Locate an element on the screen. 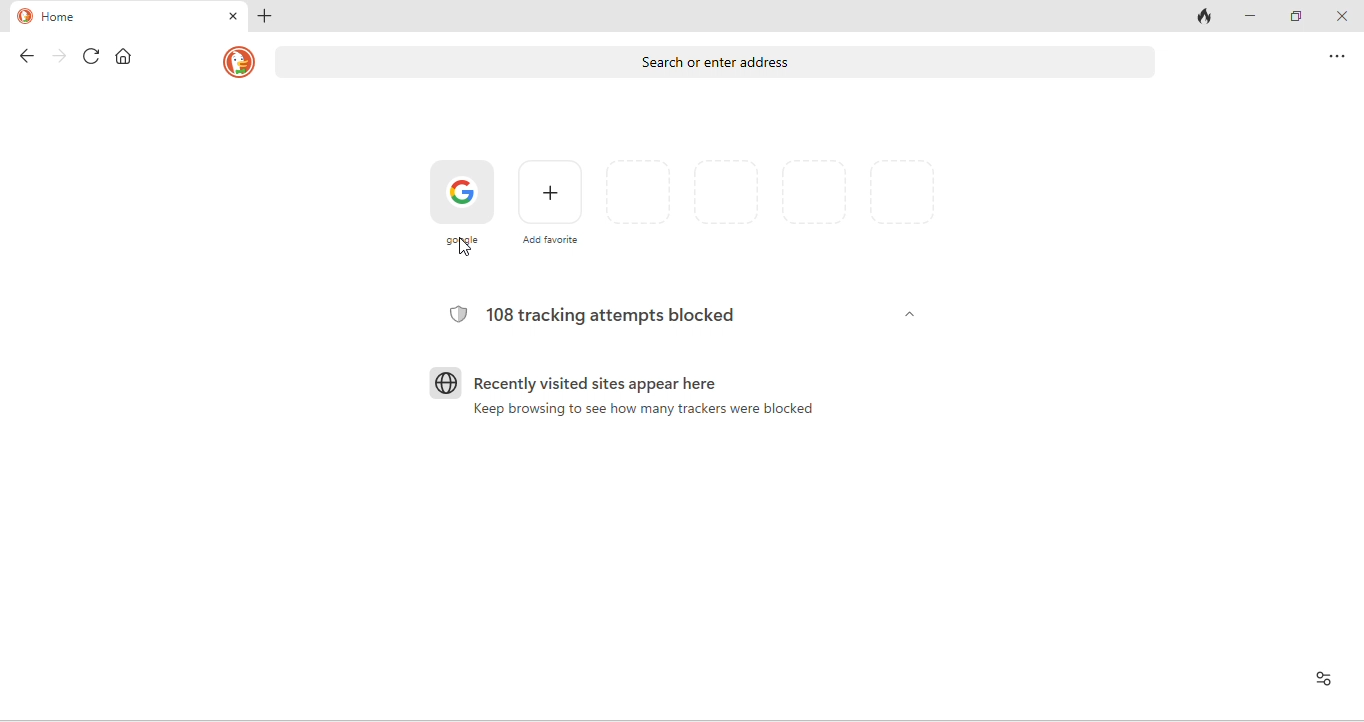  recently visited sites appear here is located at coordinates (648, 380).